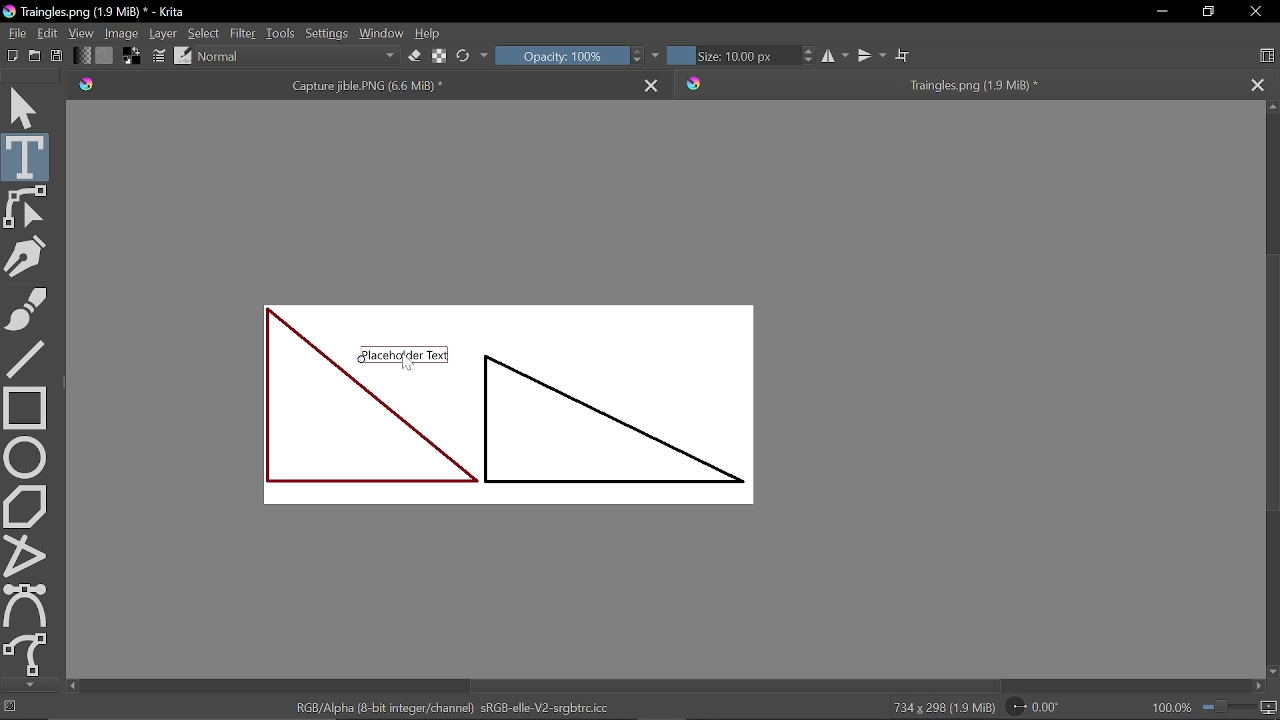 The width and height of the screenshot is (1280, 720). What do you see at coordinates (164, 33) in the screenshot?
I see `Layer` at bounding box center [164, 33].